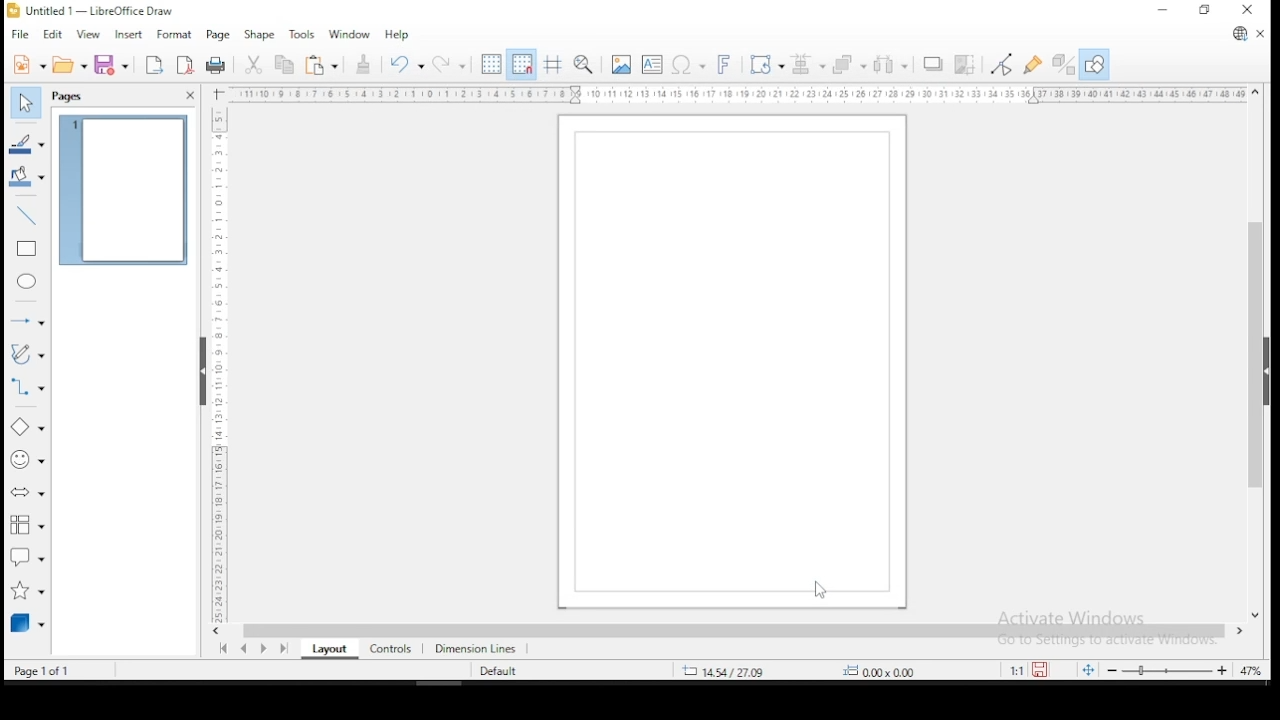 The width and height of the screenshot is (1280, 720). Describe the element at coordinates (282, 67) in the screenshot. I see `copy` at that location.